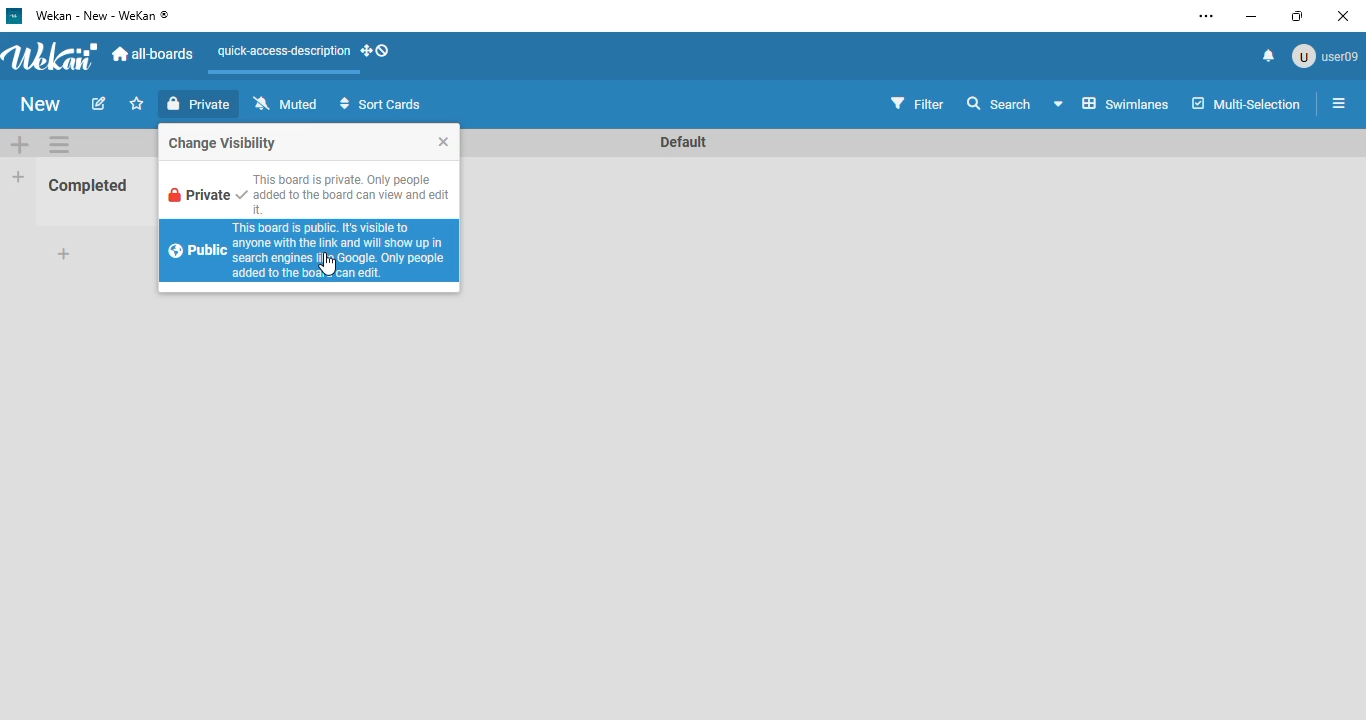  What do you see at coordinates (16, 15) in the screenshot?
I see `Wekan logo` at bounding box center [16, 15].